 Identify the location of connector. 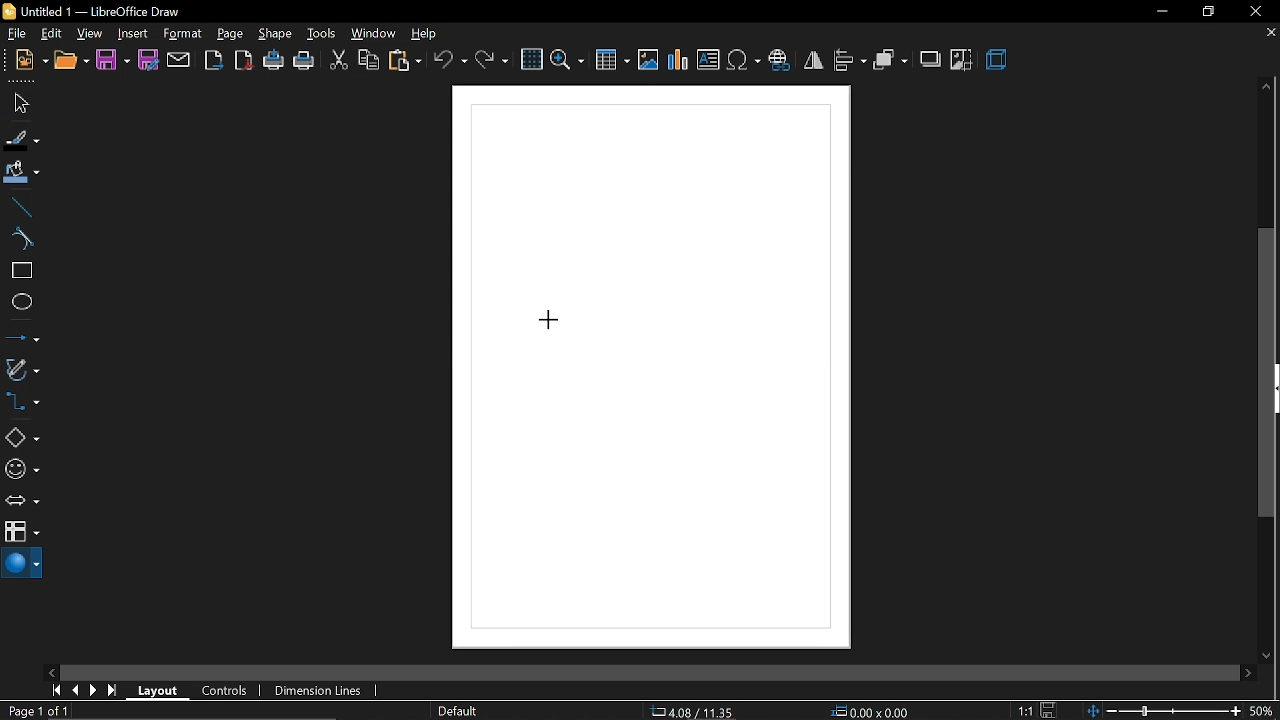
(26, 400).